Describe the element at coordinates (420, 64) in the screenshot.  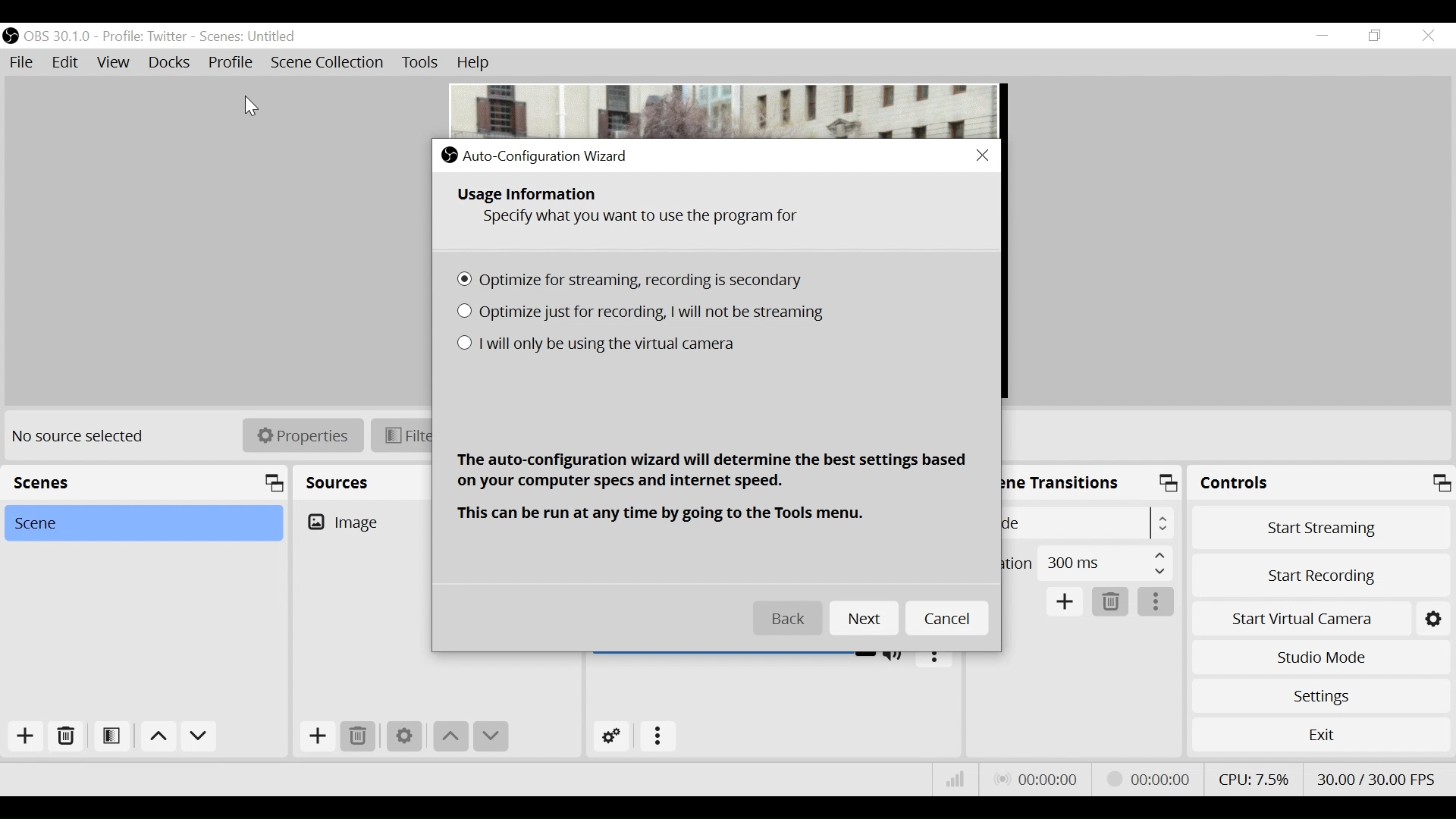
I see `Tools` at that location.